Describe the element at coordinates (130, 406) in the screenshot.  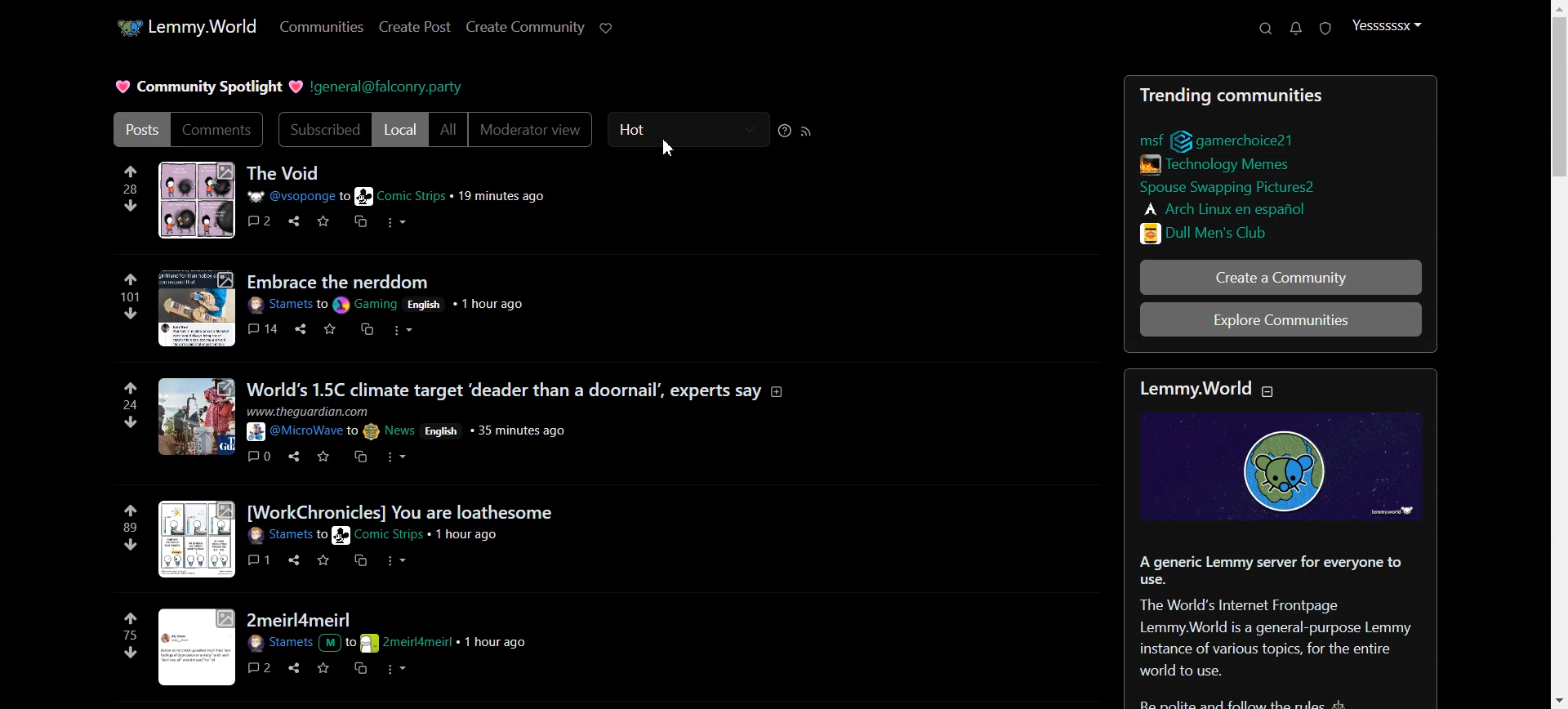
I see `24` at that location.